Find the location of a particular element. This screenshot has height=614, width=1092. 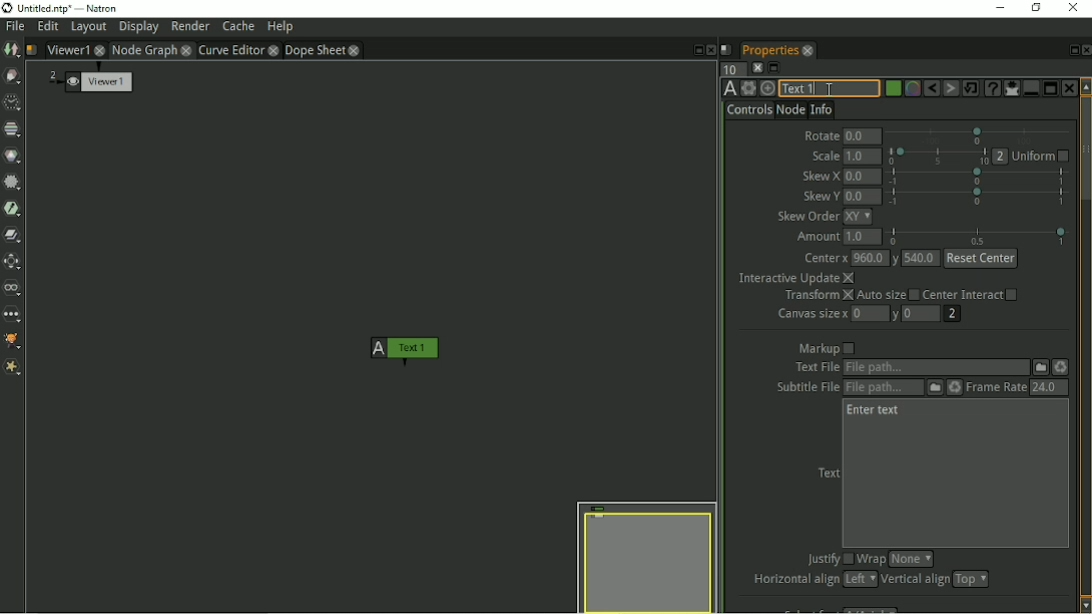

Render is located at coordinates (190, 27).